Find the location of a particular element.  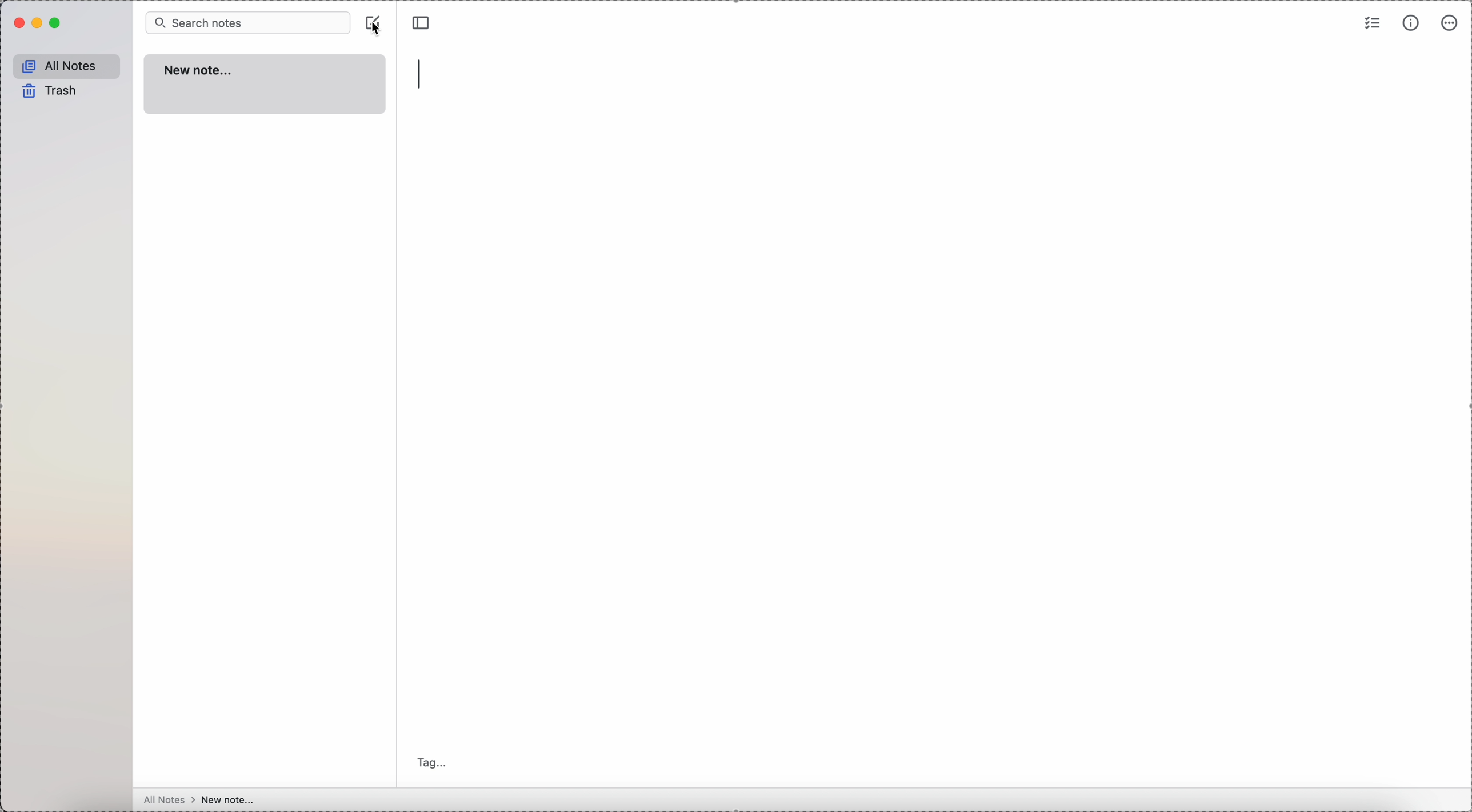

cursor is located at coordinates (374, 30).